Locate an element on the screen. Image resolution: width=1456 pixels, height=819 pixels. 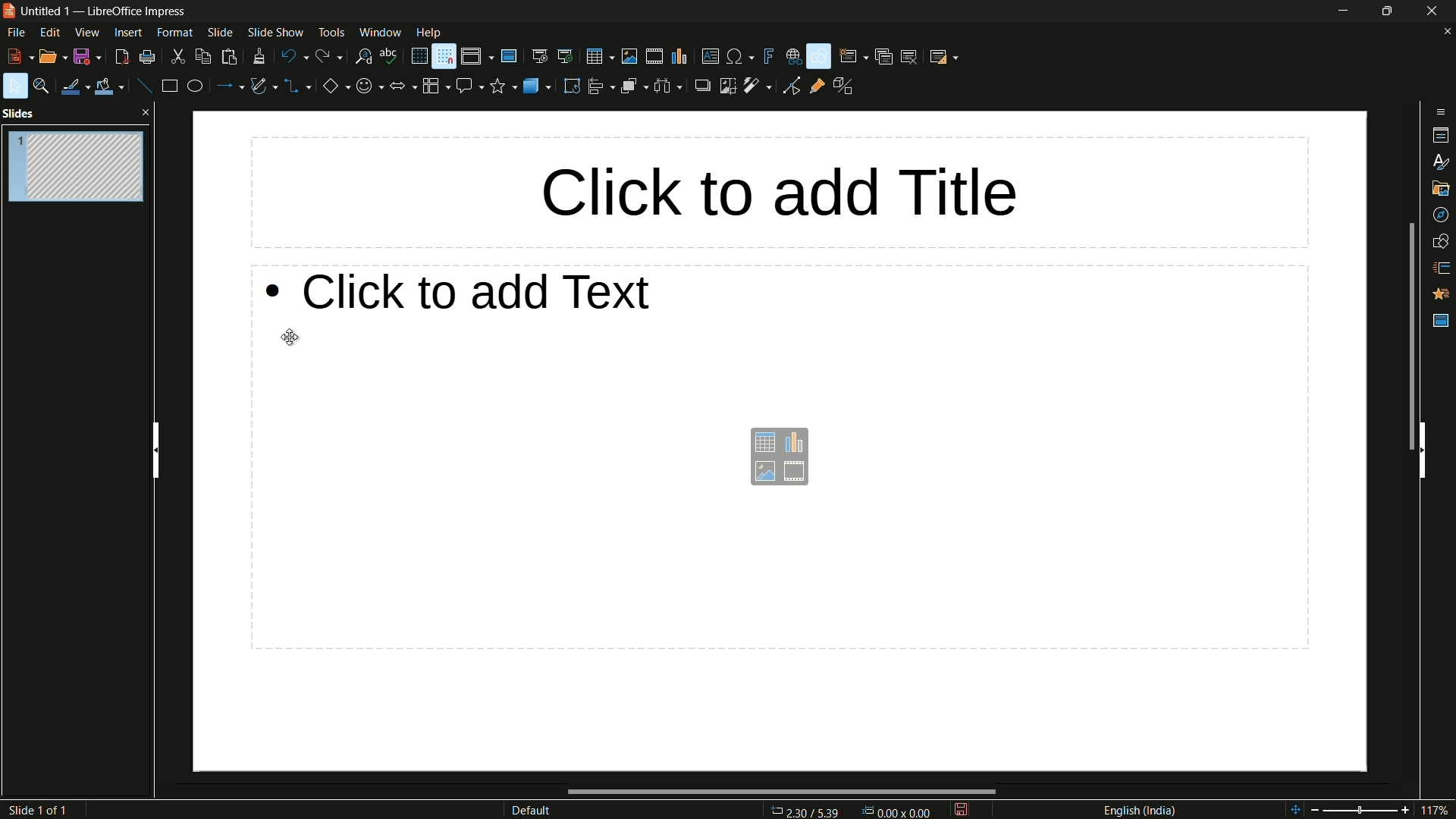
display grid is located at coordinates (417, 57).